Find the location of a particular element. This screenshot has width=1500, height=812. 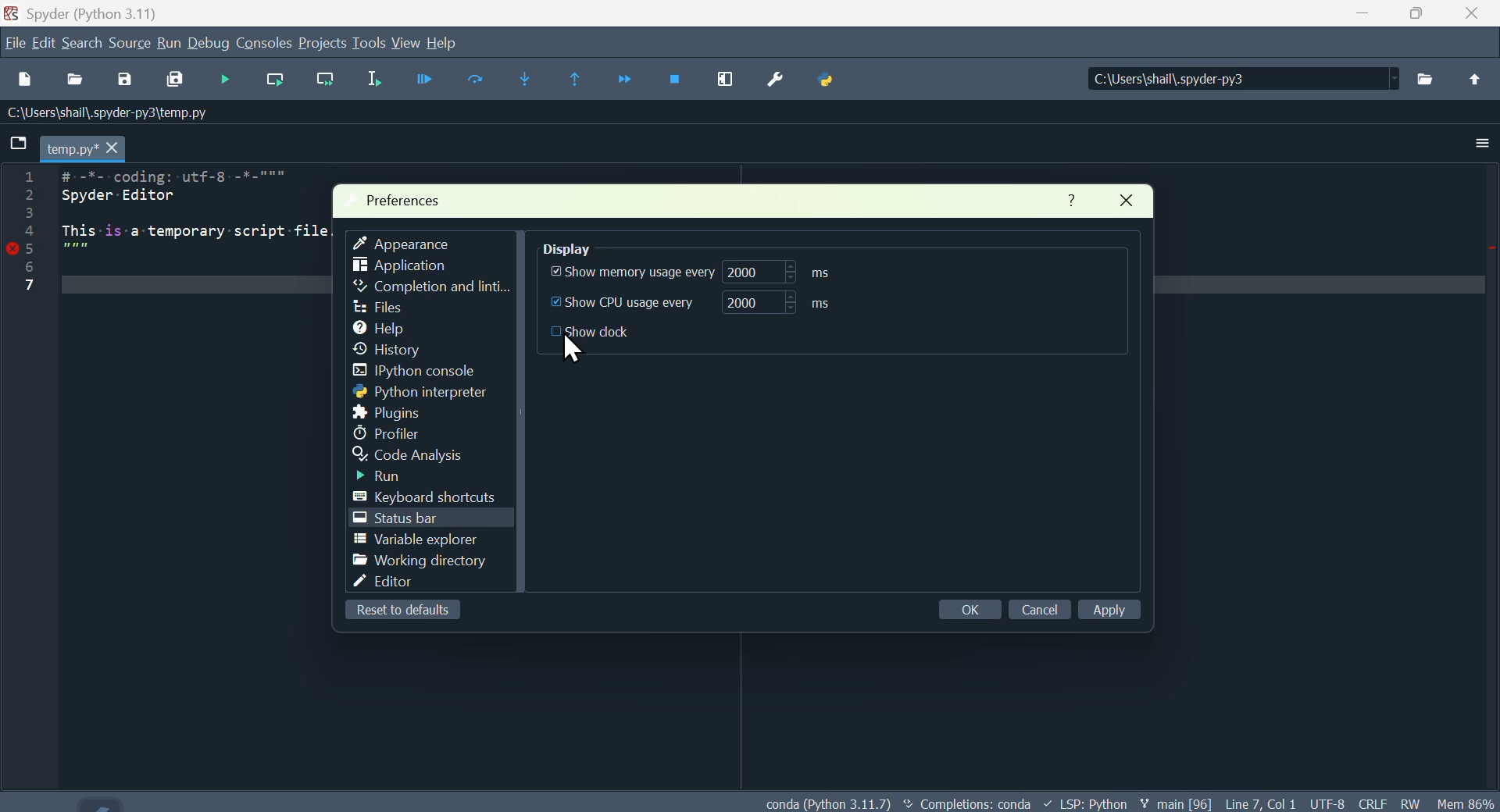

Debug file is located at coordinates (223, 80).